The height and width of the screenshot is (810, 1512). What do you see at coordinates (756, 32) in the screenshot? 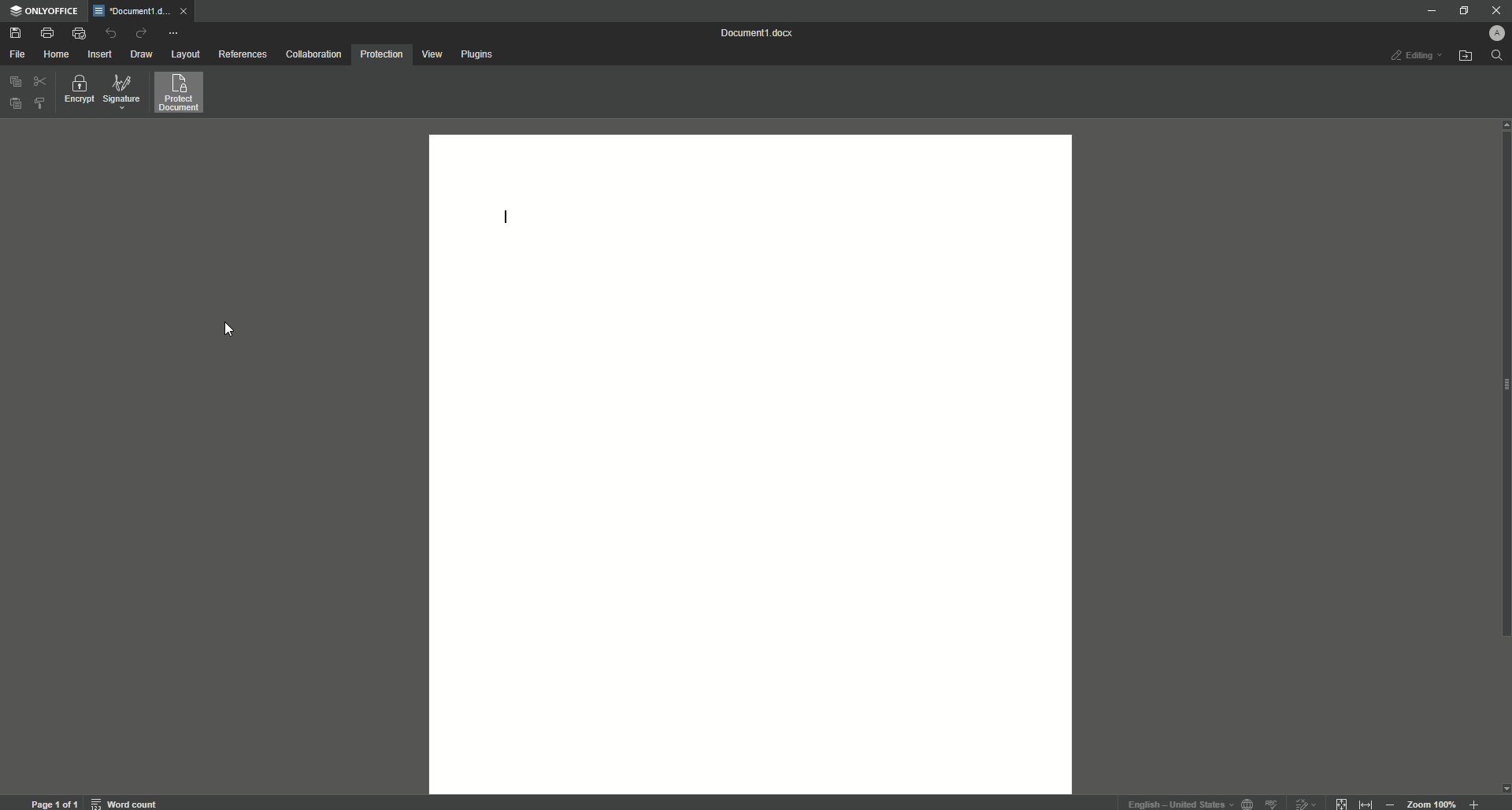
I see `Document 1` at bounding box center [756, 32].